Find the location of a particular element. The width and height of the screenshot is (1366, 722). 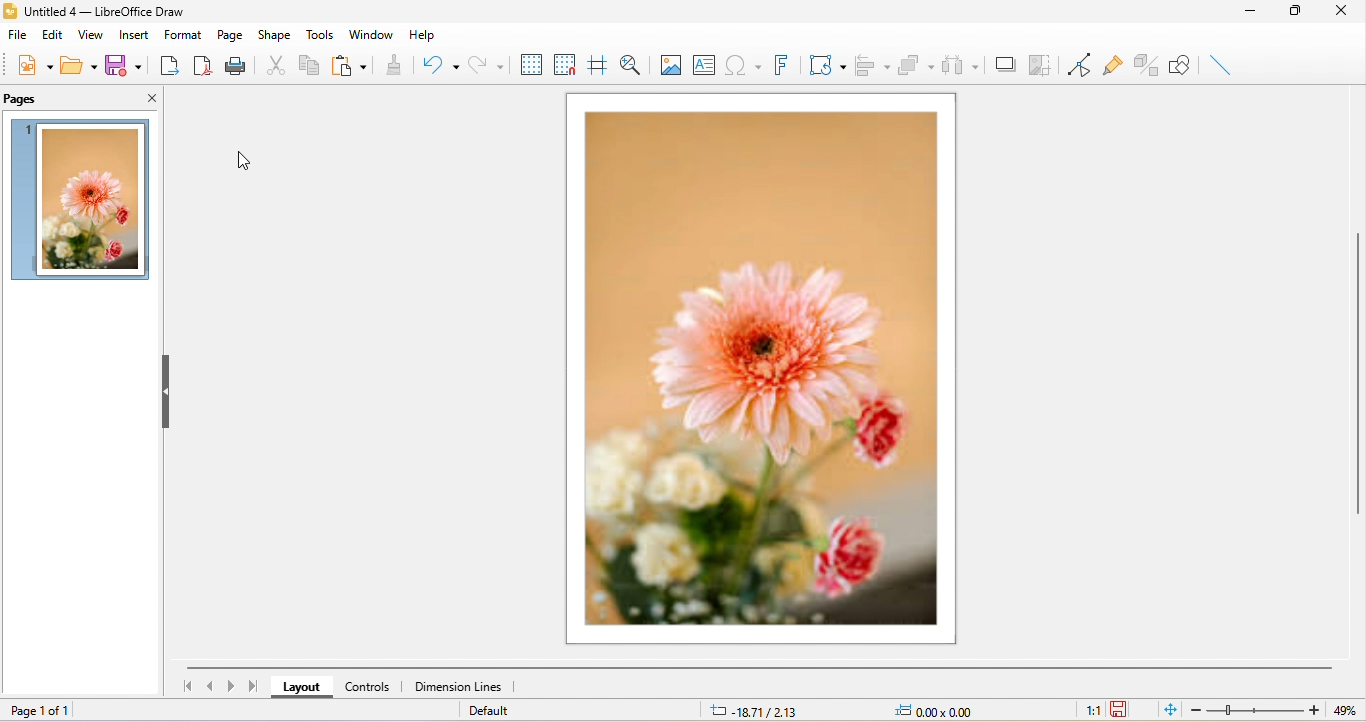

edit is located at coordinates (54, 35).